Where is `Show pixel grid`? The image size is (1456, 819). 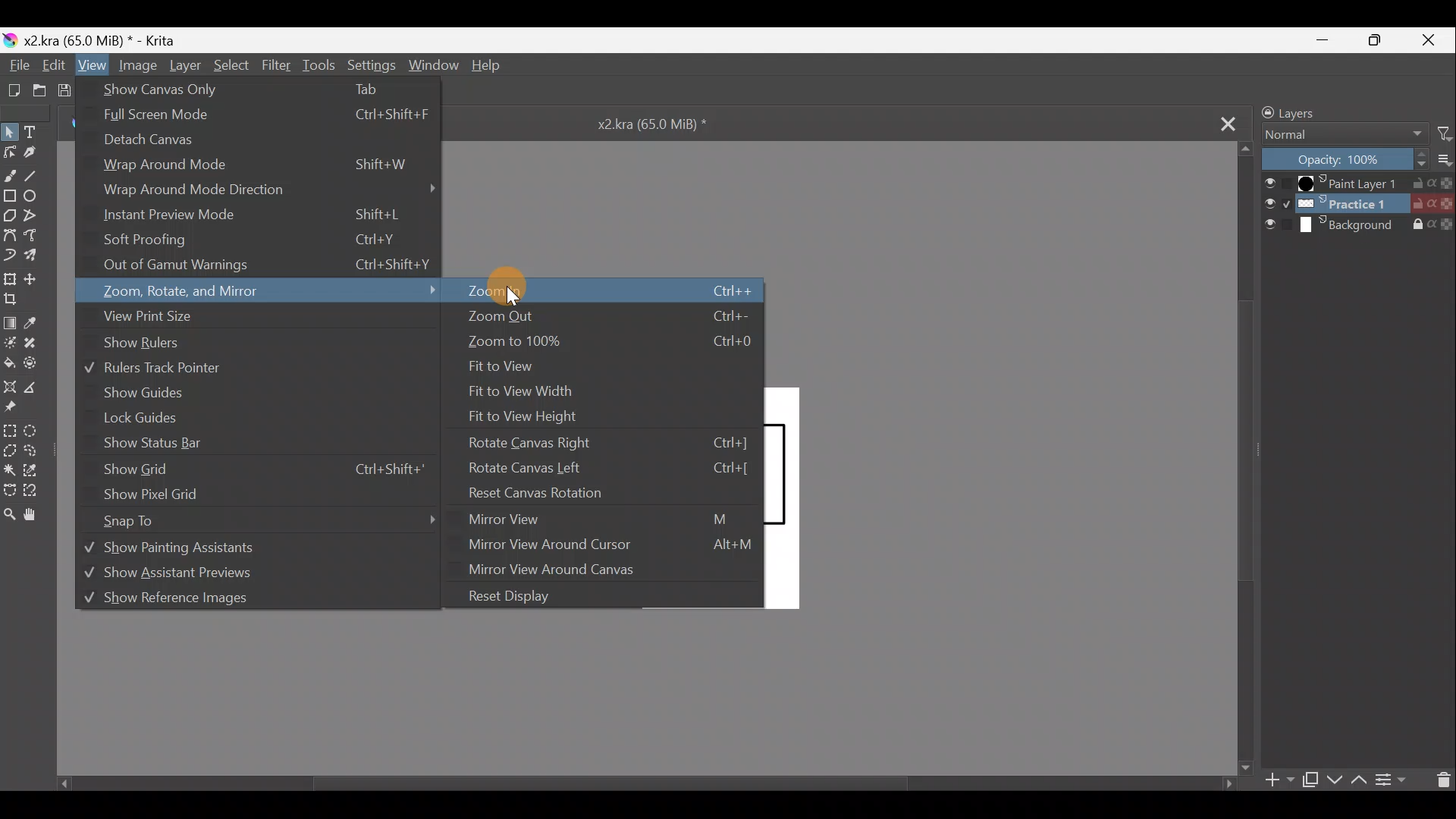
Show pixel grid is located at coordinates (246, 495).